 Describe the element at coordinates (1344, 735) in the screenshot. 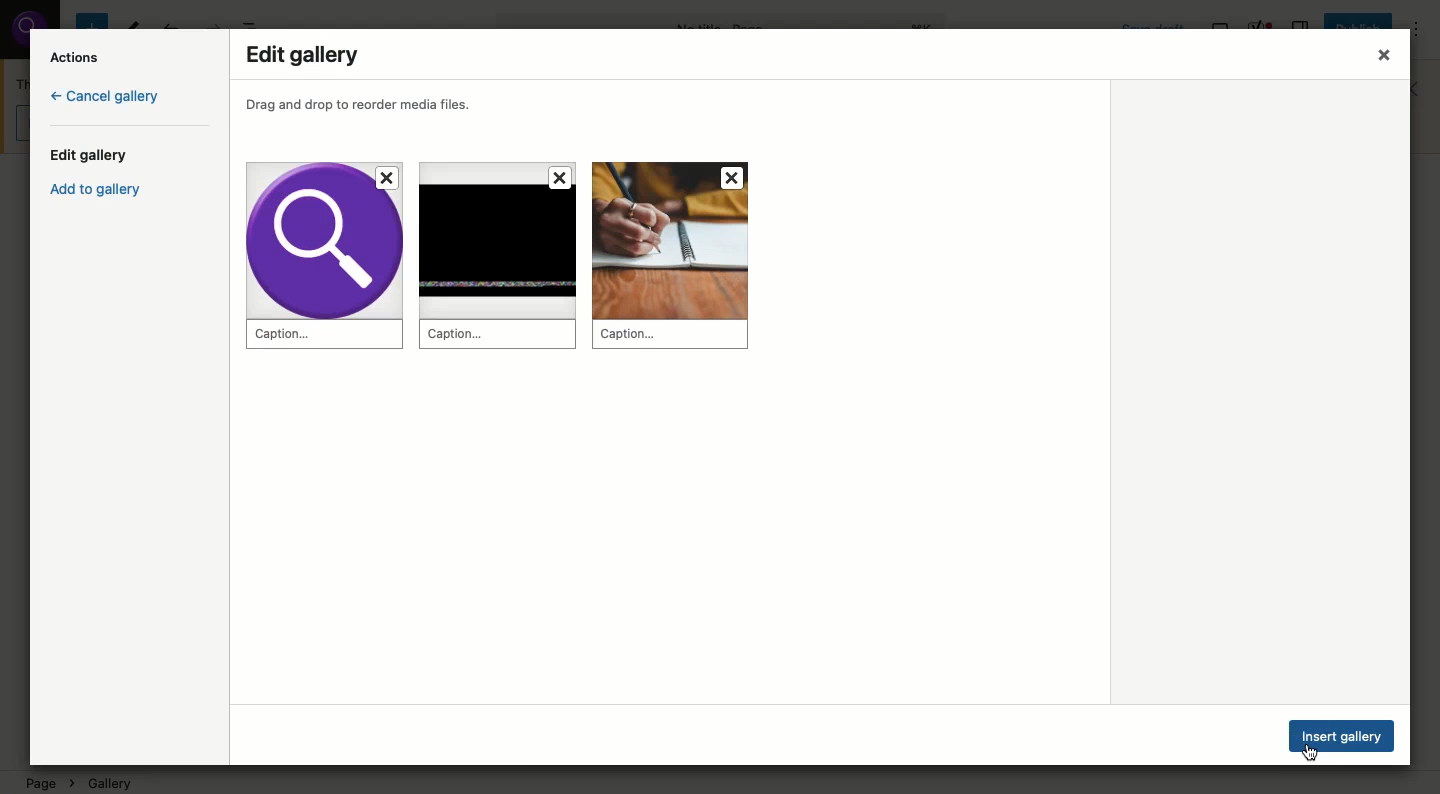

I see `Insert gallery` at that location.